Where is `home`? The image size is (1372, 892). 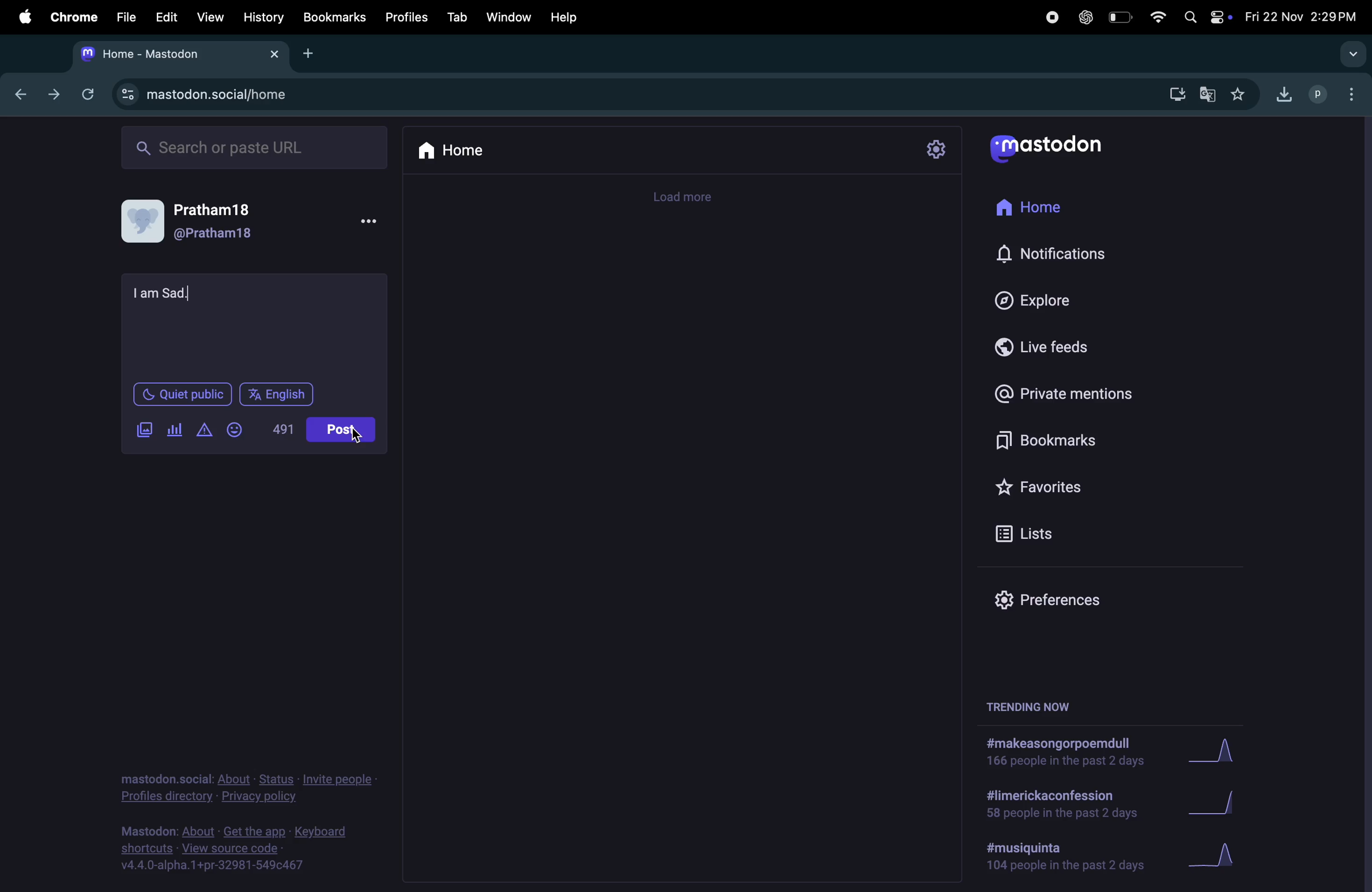
home is located at coordinates (454, 156).